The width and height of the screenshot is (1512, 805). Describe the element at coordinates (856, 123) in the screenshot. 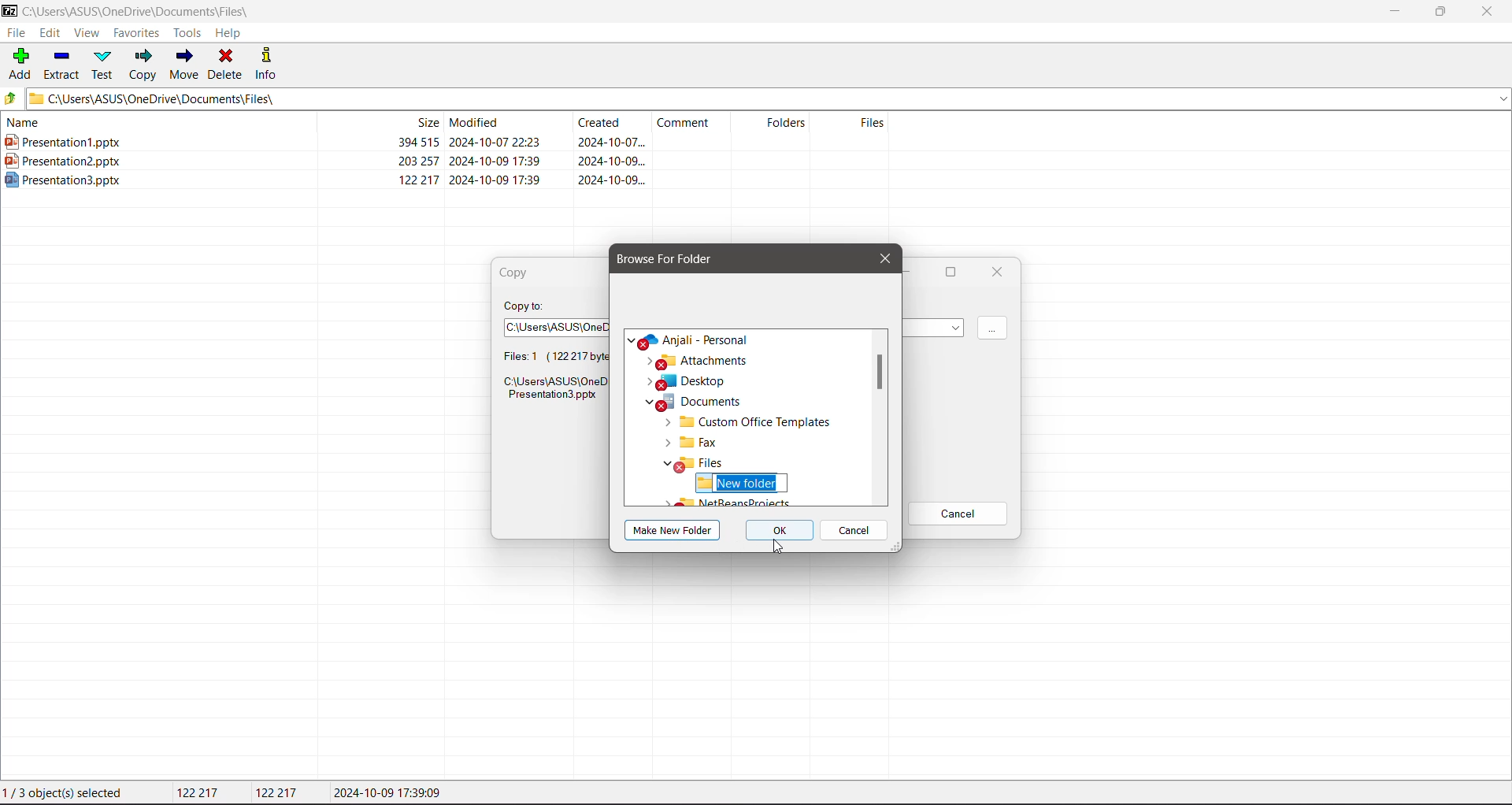

I see `Files` at that location.